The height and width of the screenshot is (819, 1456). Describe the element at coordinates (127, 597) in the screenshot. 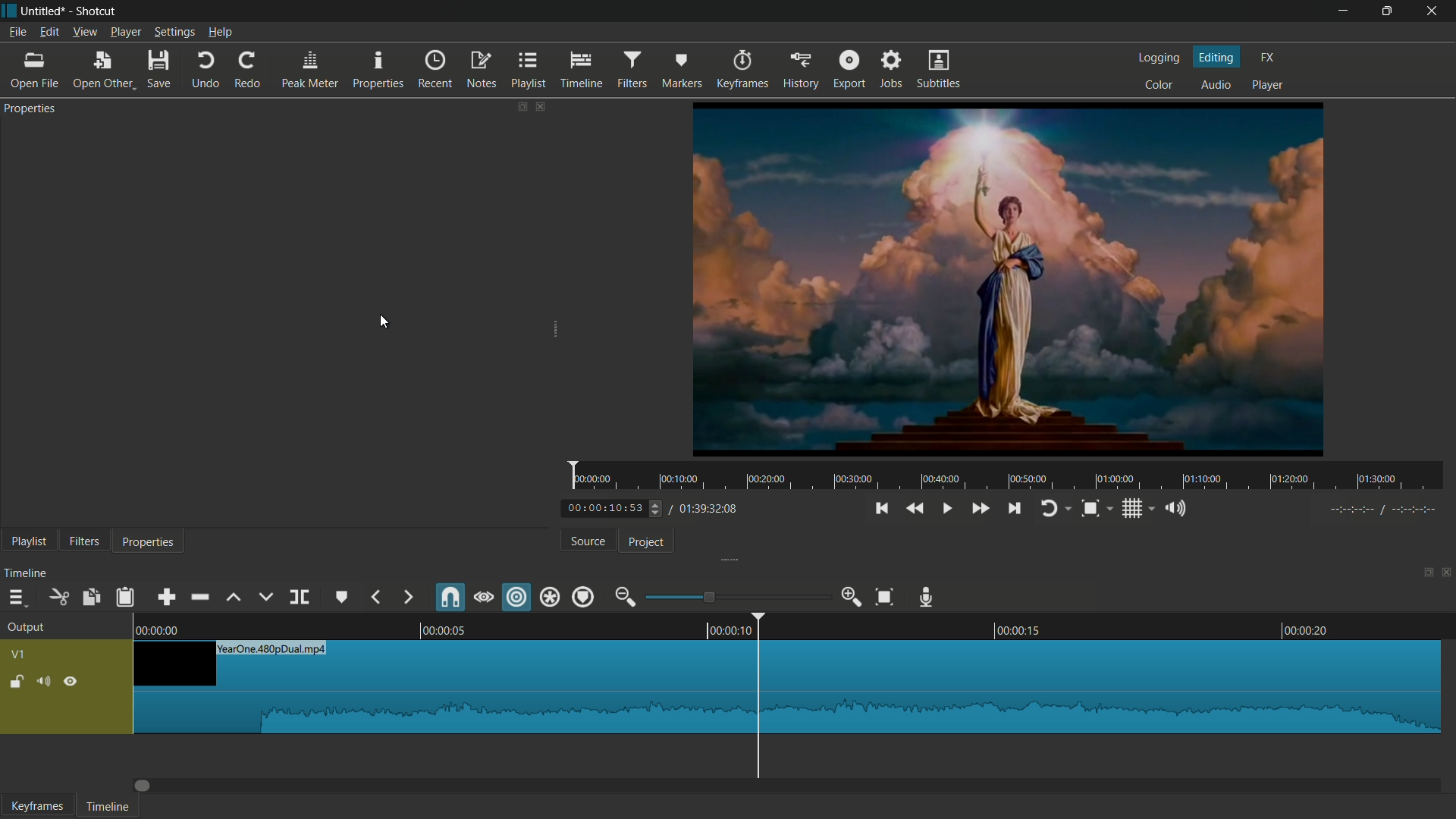

I see `paste` at that location.